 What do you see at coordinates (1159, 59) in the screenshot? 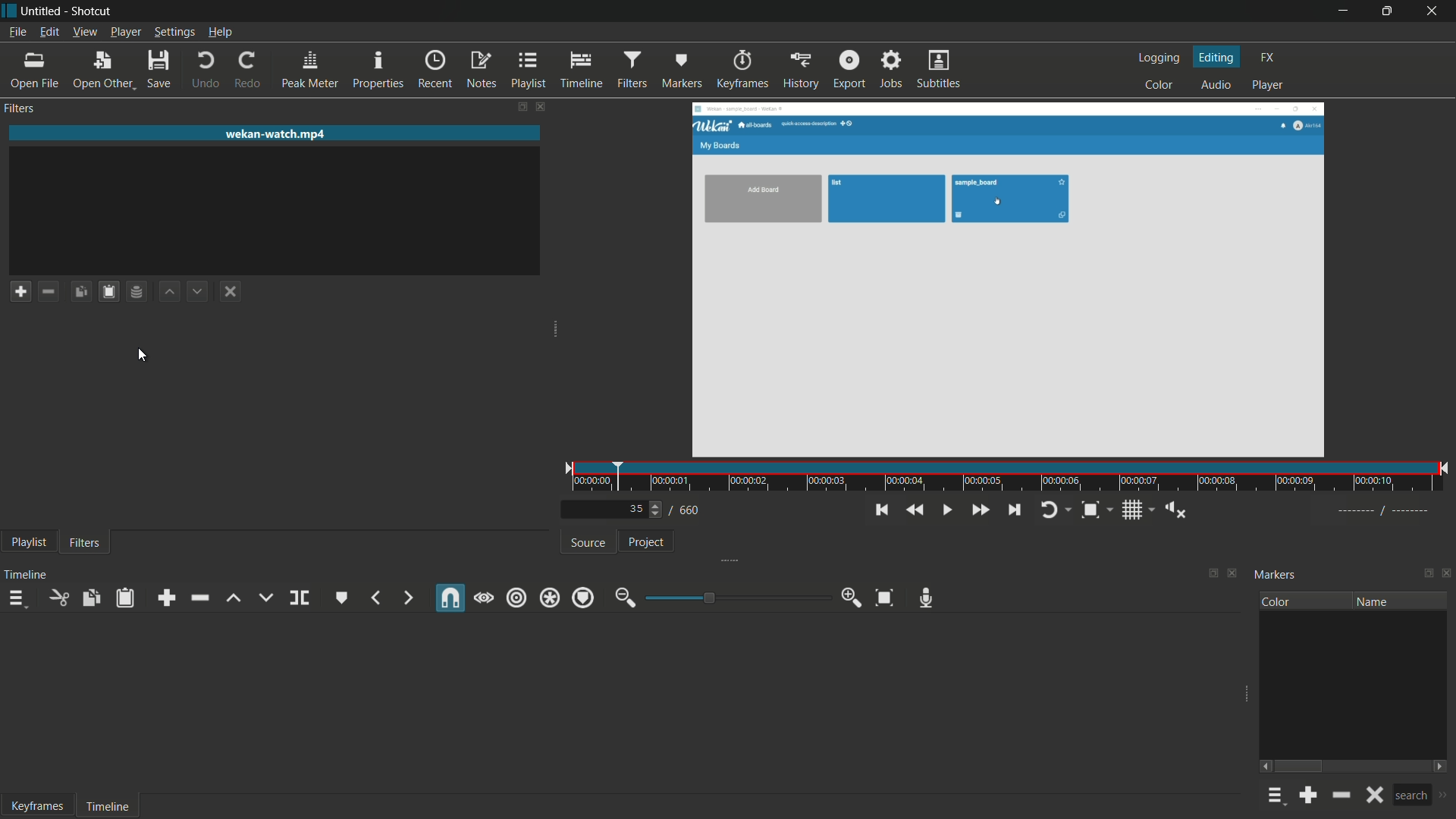
I see `logging` at bounding box center [1159, 59].